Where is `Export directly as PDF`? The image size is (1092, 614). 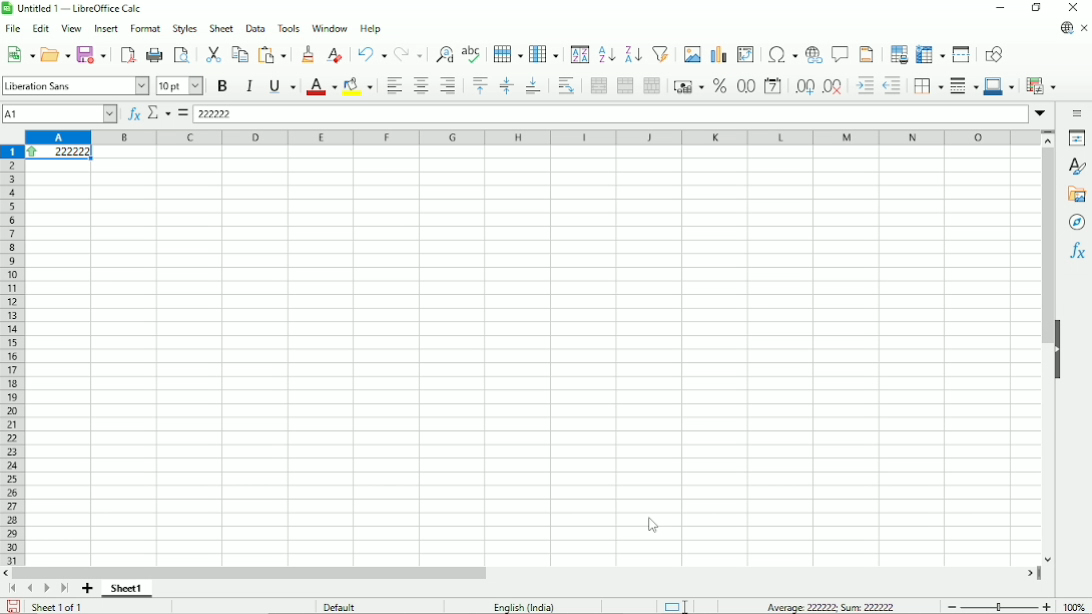
Export directly as PDF is located at coordinates (128, 55).